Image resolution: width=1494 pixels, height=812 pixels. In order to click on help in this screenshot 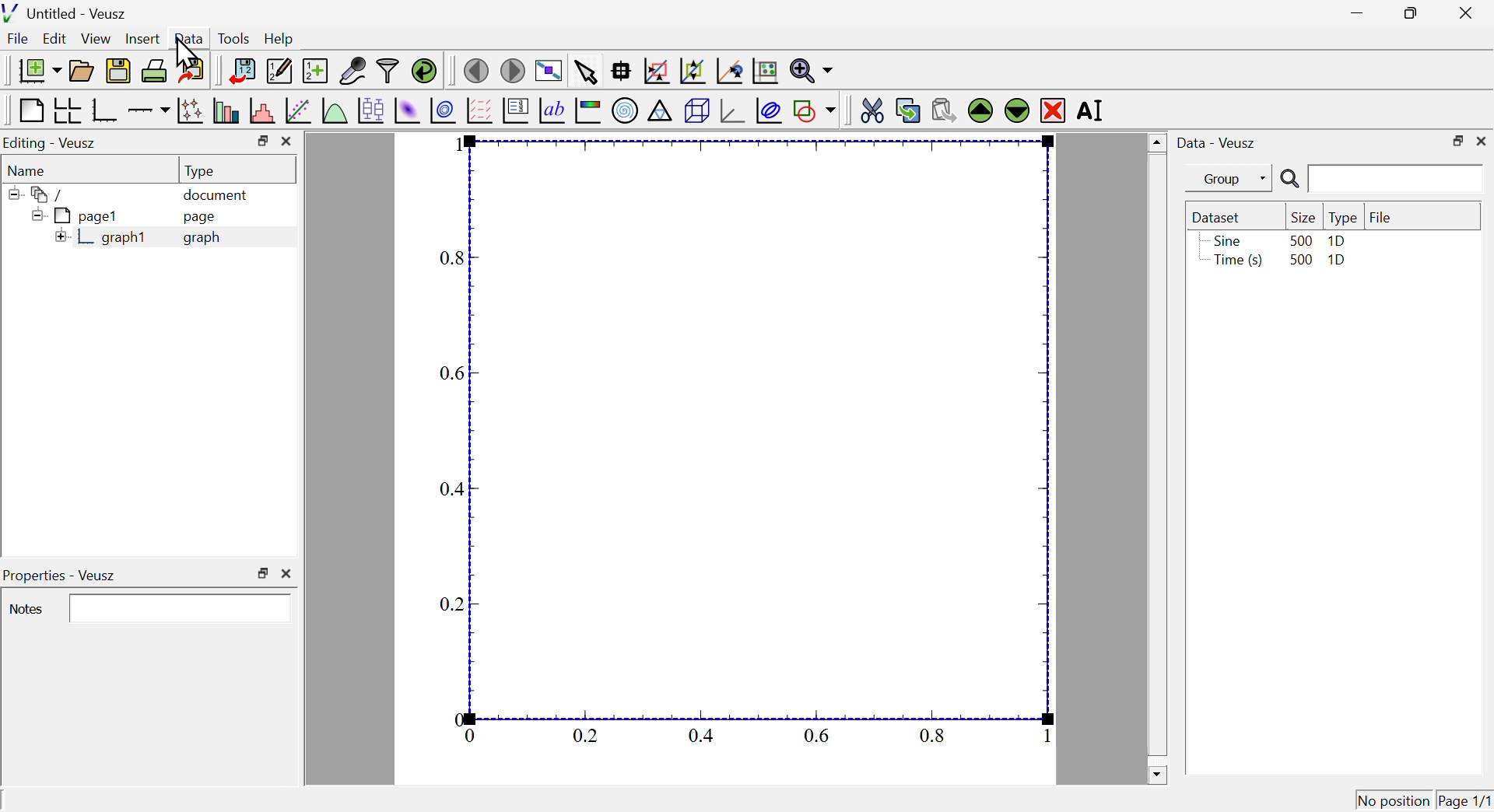, I will do `click(279, 40)`.